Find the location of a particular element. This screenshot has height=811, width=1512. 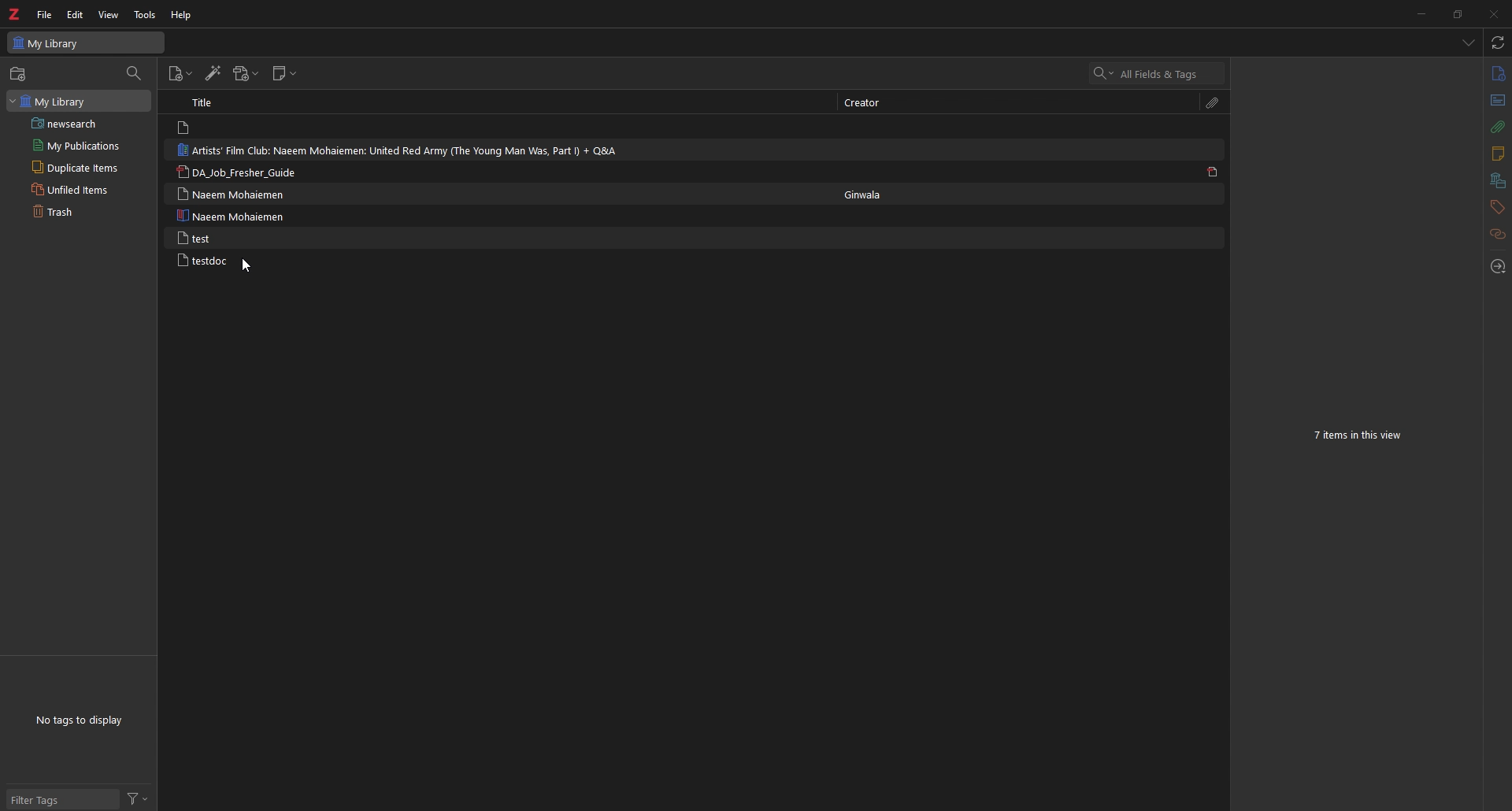

list all items is located at coordinates (1469, 43).